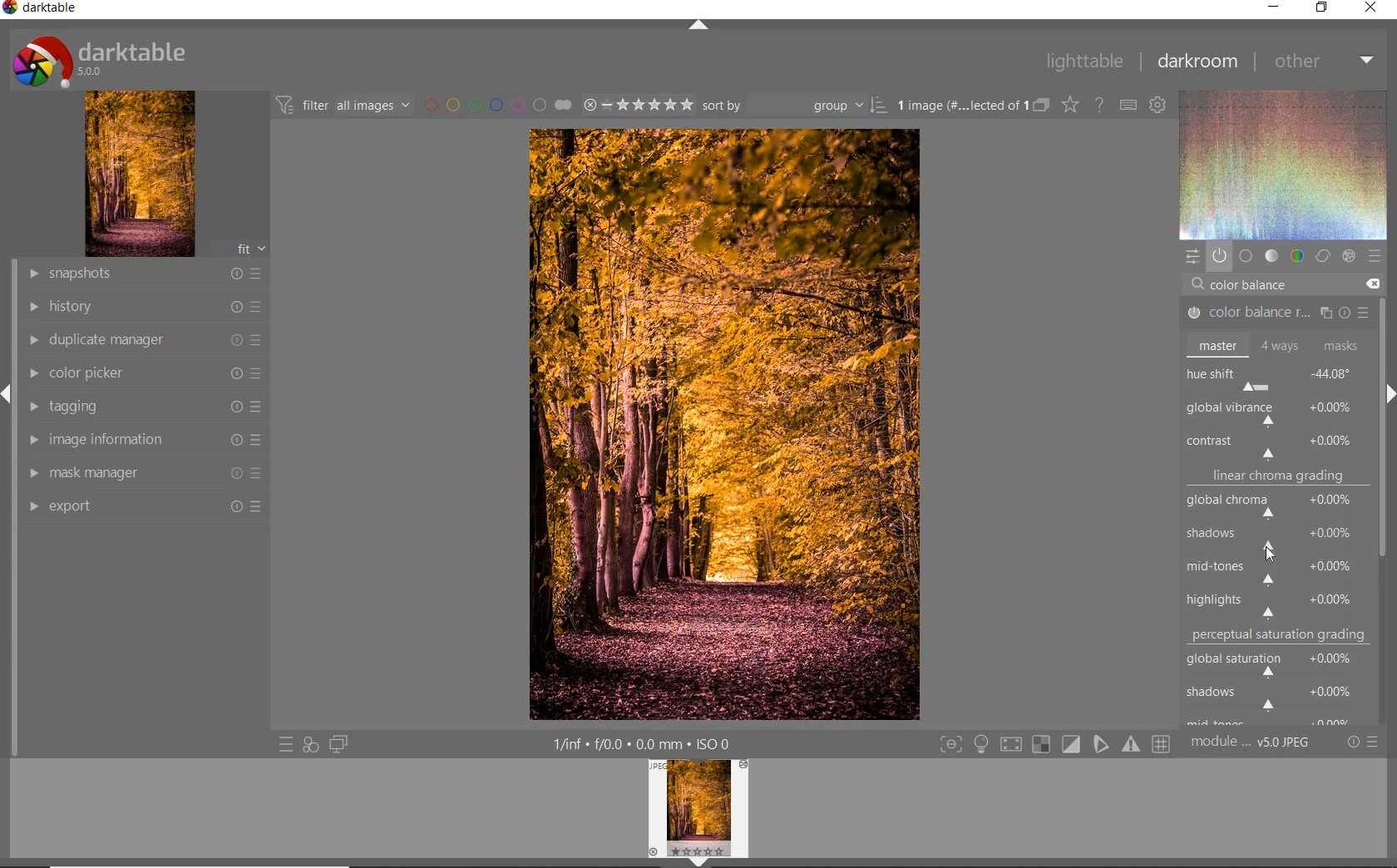 The width and height of the screenshot is (1397, 868). What do you see at coordinates (644, 744) in the screenshot?
I see `other interface detail` at bounding box center [644, 744].